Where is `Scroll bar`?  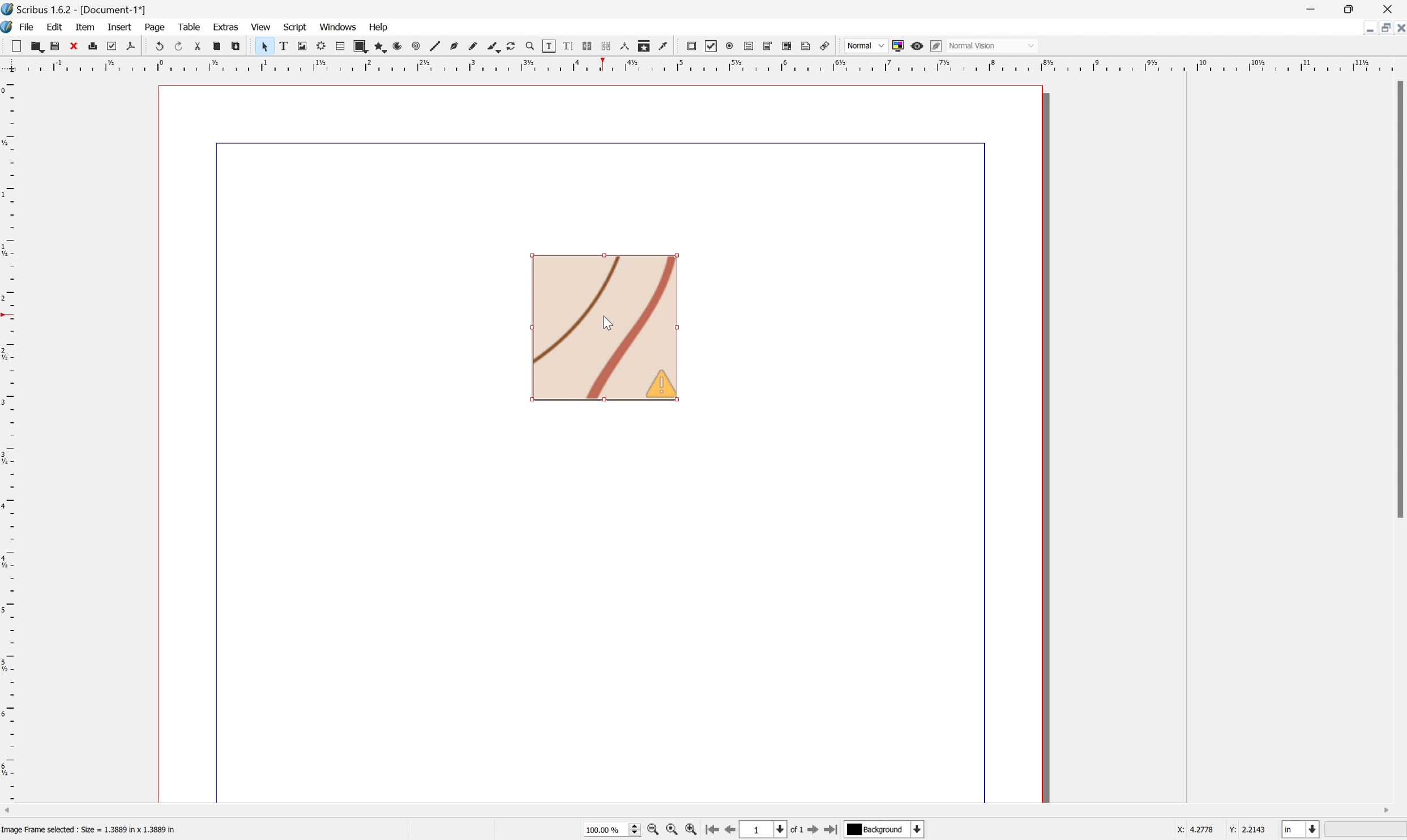 Scroll bar is located at coordinates (1398, 299).